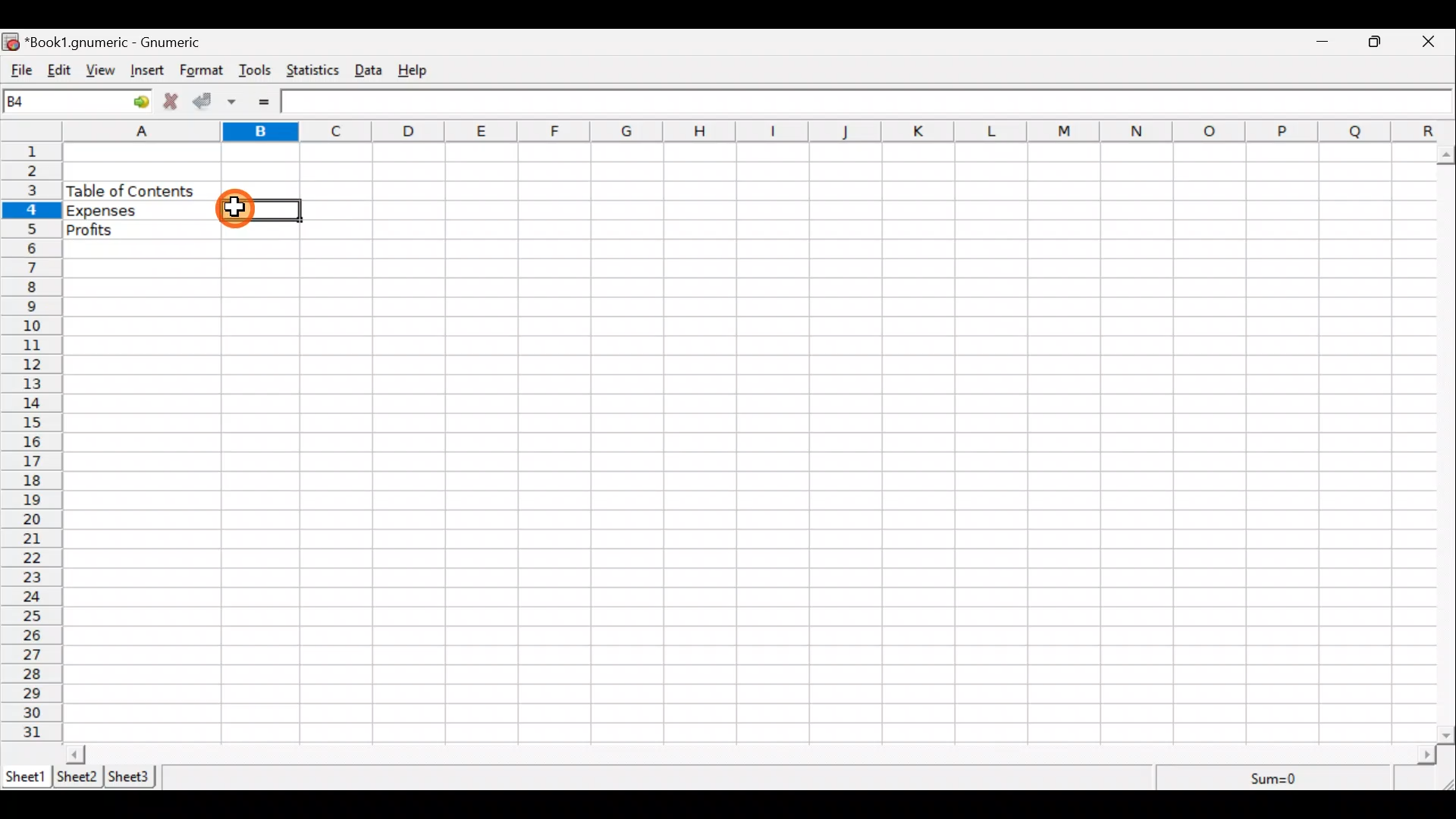 This screenshot has width=1456, height=819. I want to click on Format, so click(202, 71).